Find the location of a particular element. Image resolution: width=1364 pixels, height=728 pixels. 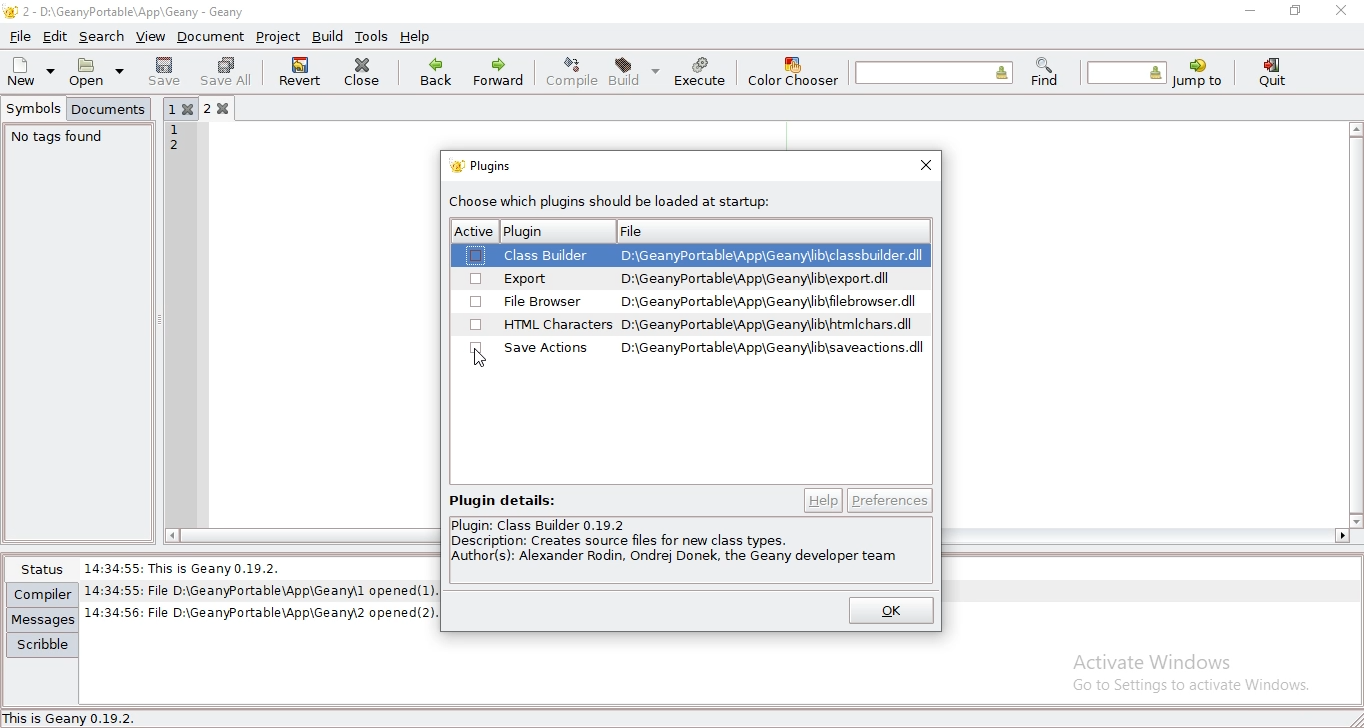

close is located at coordinates (365, 70).